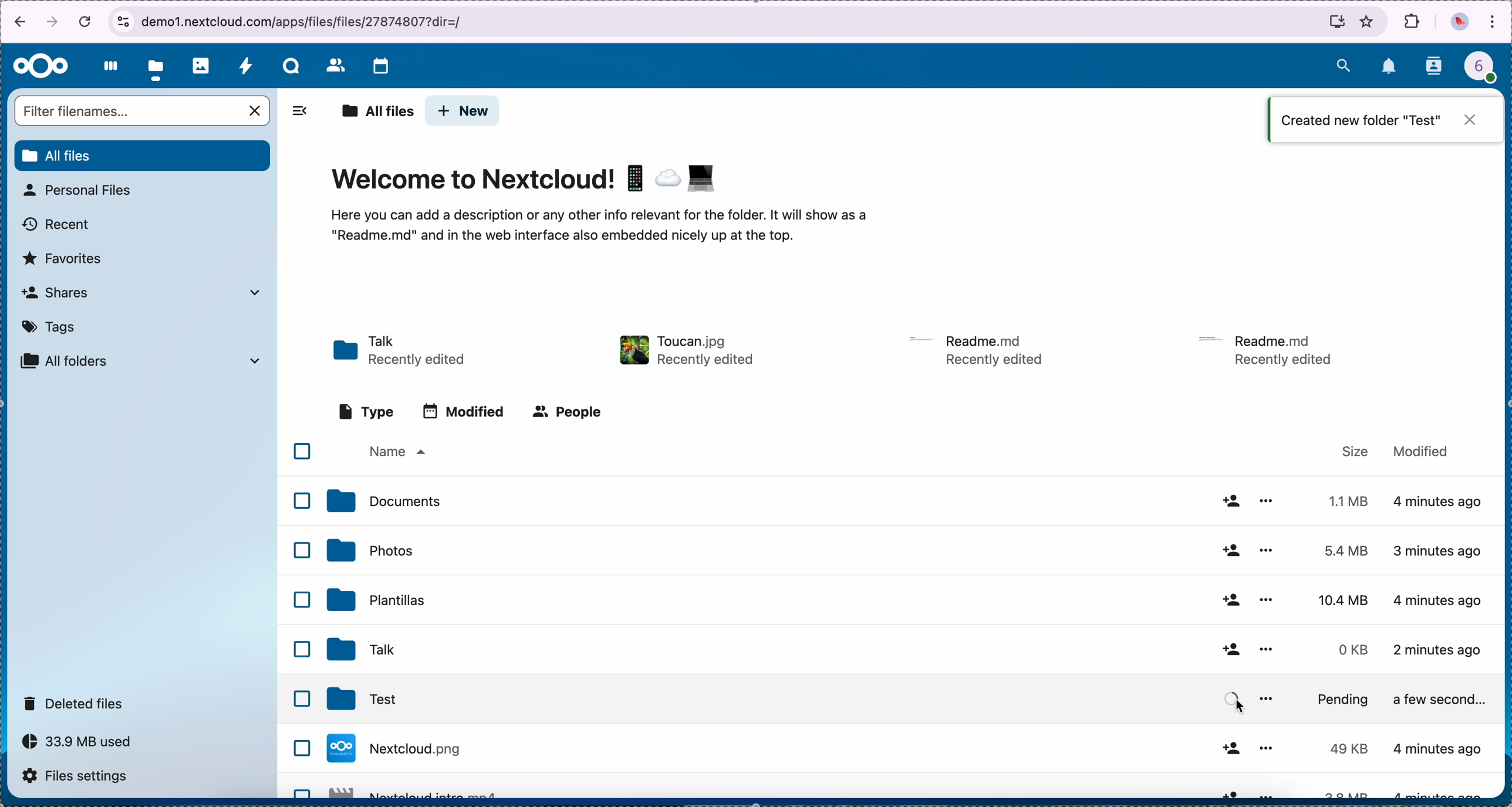 The width and height of the screenshot is (1512, 807). I want to click on talk folder, so click(401, 352).